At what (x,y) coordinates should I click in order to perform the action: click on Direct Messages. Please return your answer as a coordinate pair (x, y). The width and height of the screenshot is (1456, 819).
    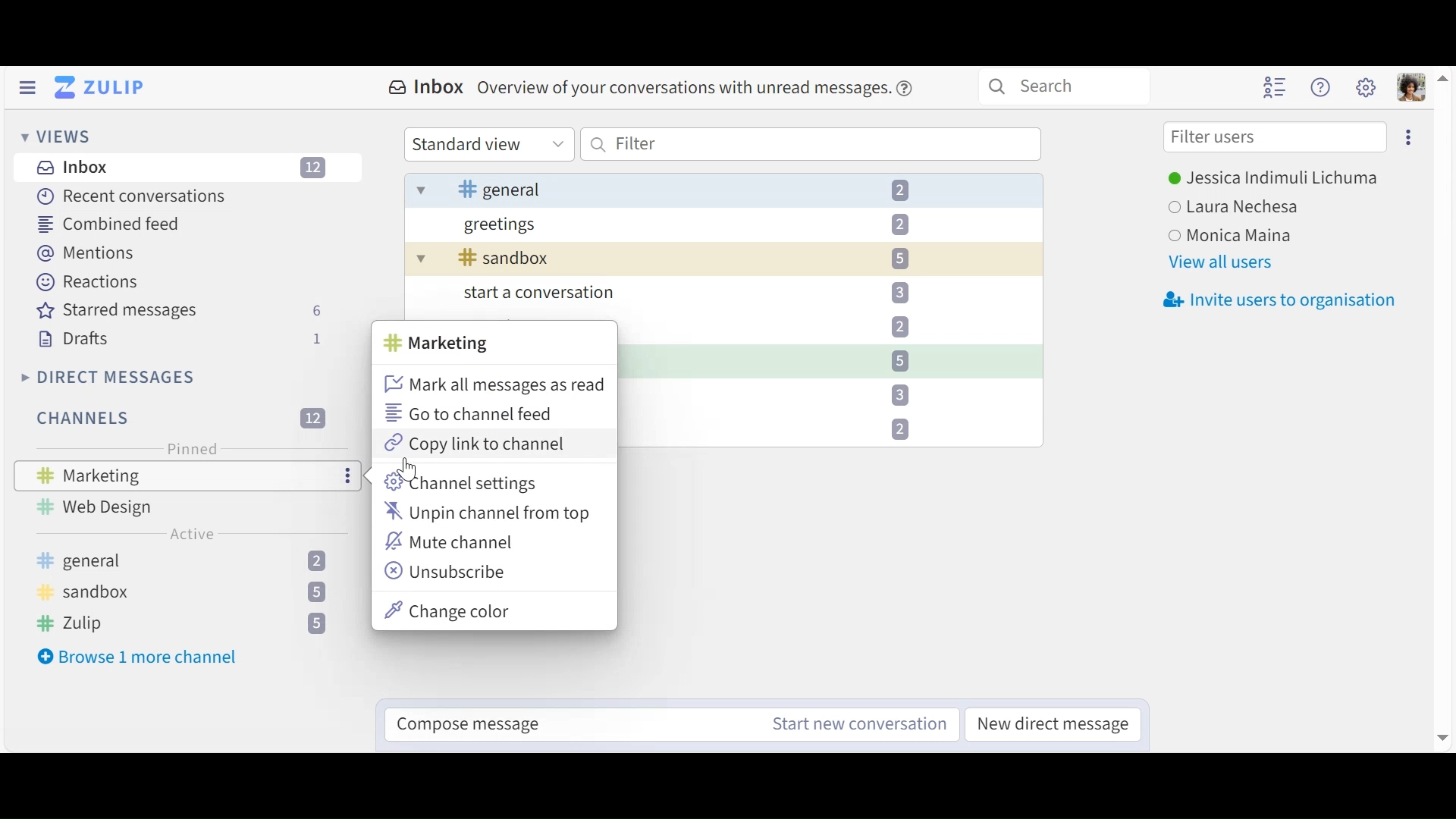
    Looking at the image, I should click on (106, 377).